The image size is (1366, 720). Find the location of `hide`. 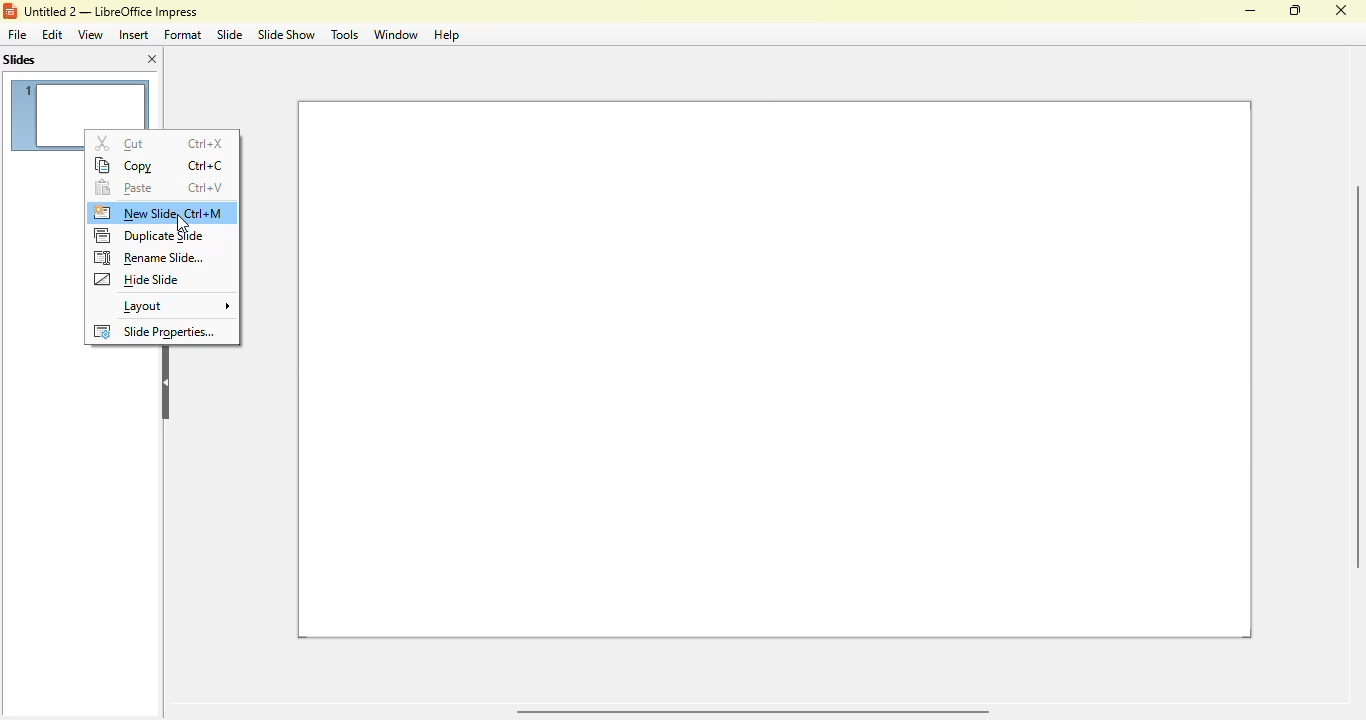

hide is located at coordinates (165, 382).